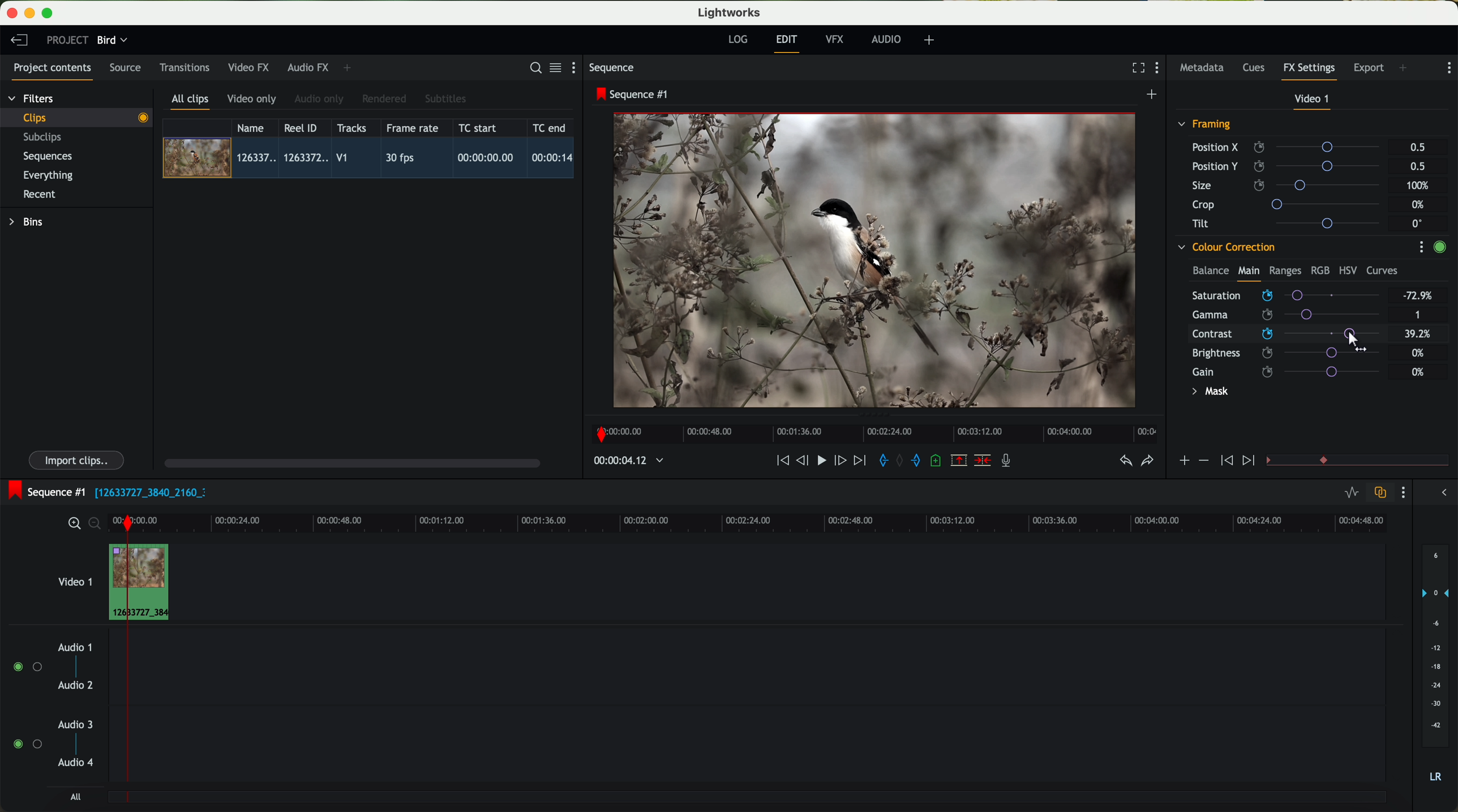 The width and height of the screenshot is (1458, 812). What do you see at coordinates (53, 71) in the screenshot?
I see `project contents` at bounding box center [53, 71].